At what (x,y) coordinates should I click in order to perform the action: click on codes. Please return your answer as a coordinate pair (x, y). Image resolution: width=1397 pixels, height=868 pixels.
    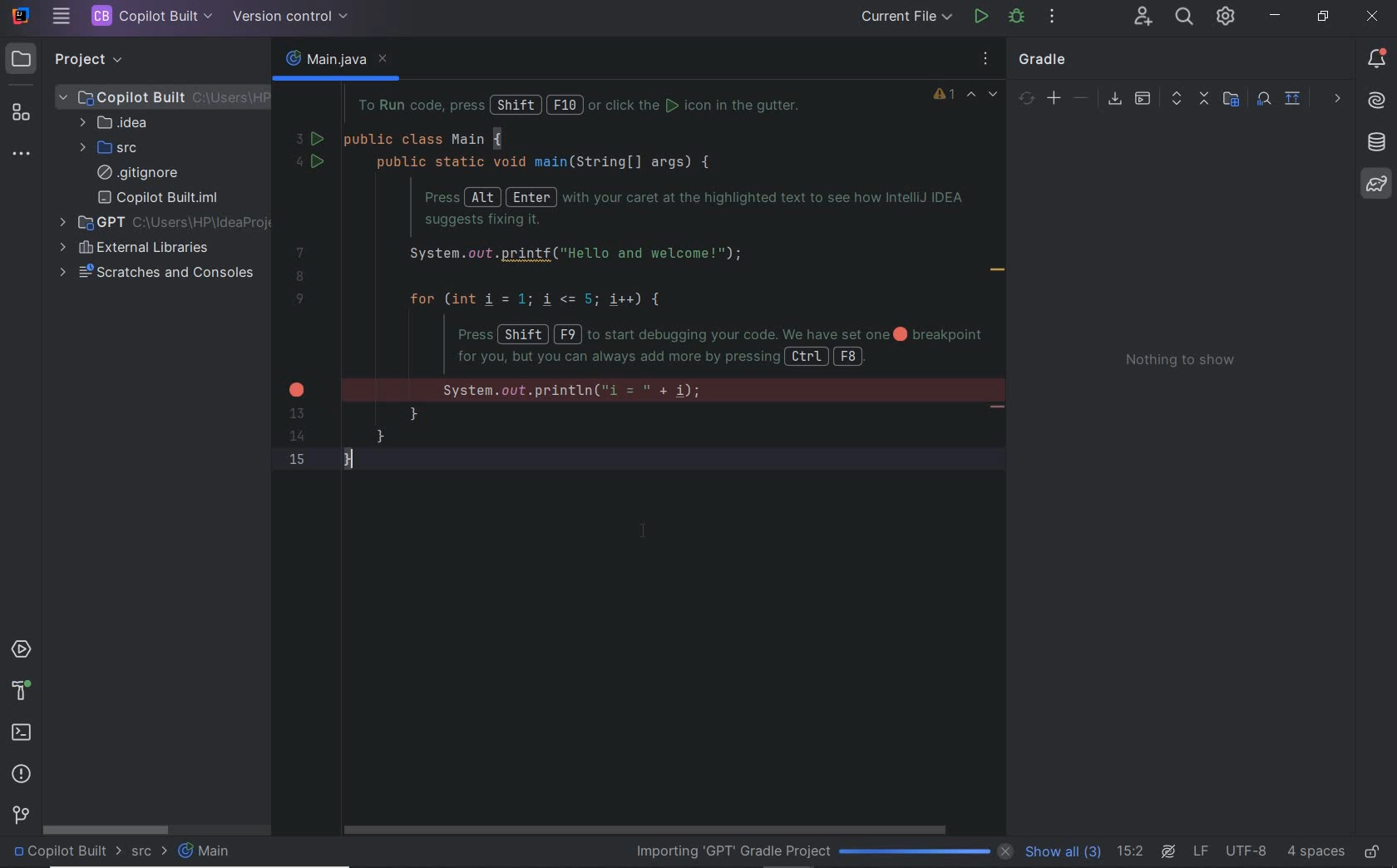
    Looking at the image, I should click on (617, 279).